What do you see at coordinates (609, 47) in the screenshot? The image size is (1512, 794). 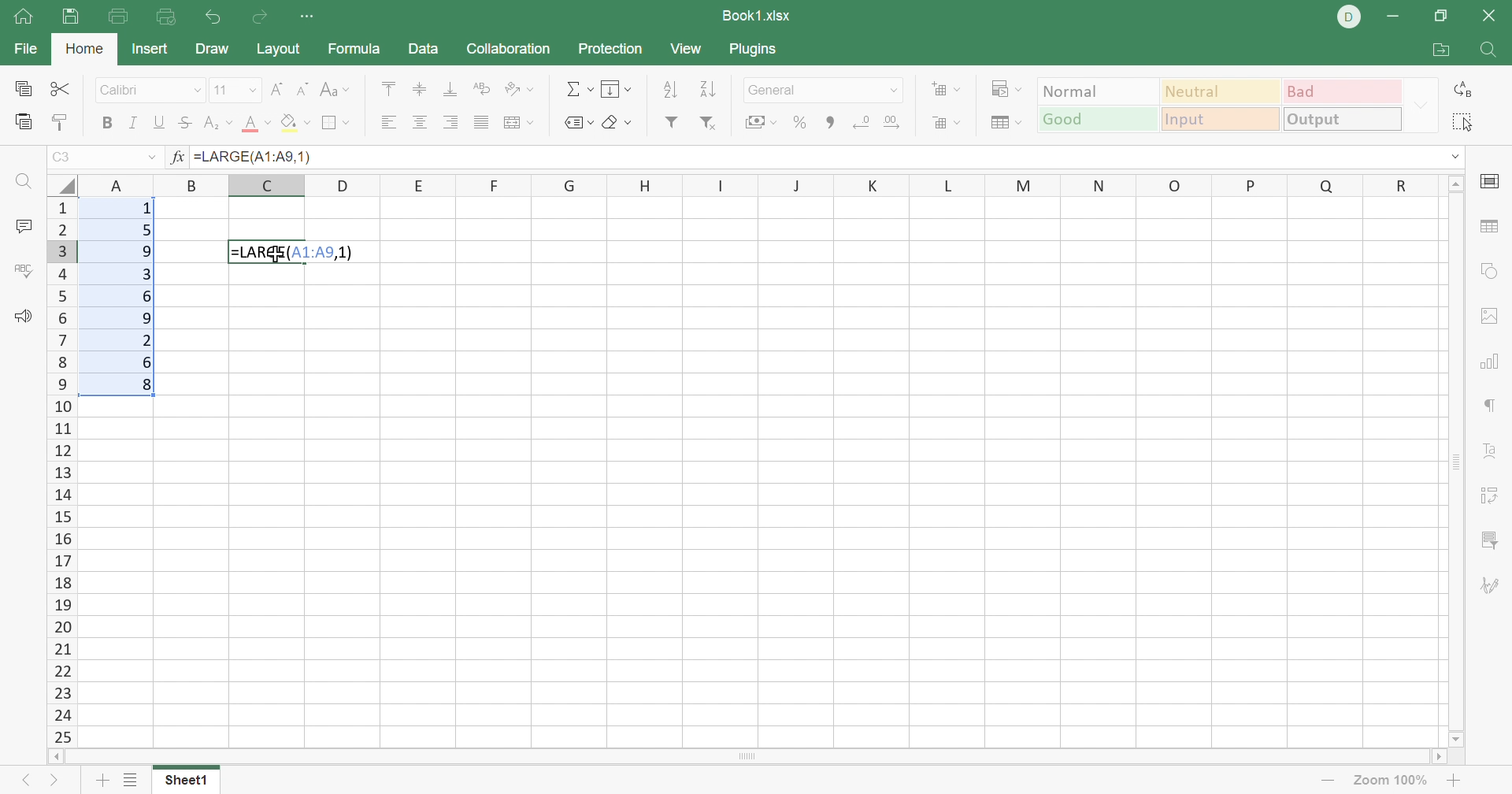 I see `Protection` at bounding box center [609, 47].